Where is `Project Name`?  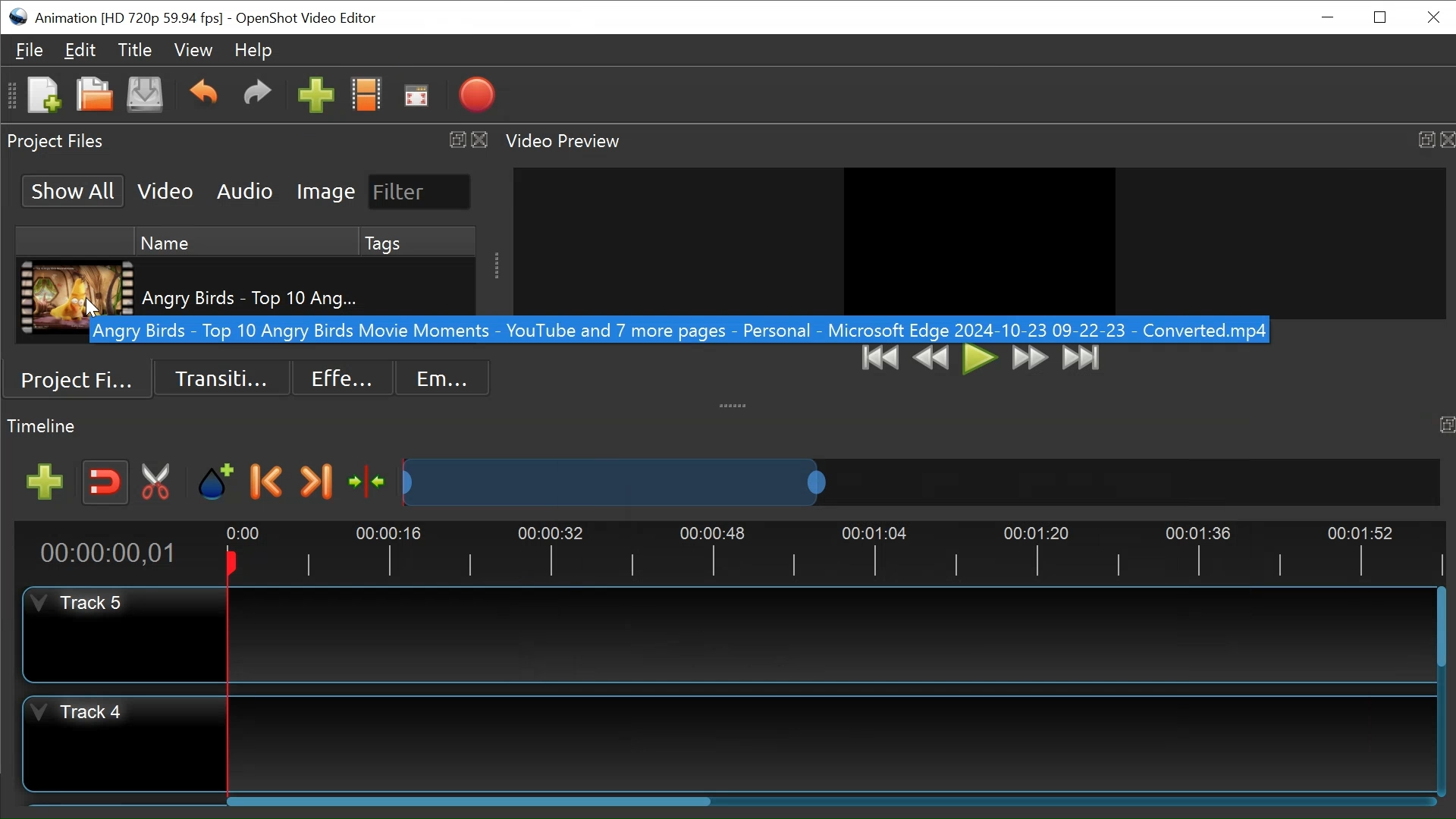
Project Name is located at coordinates (129, 20).